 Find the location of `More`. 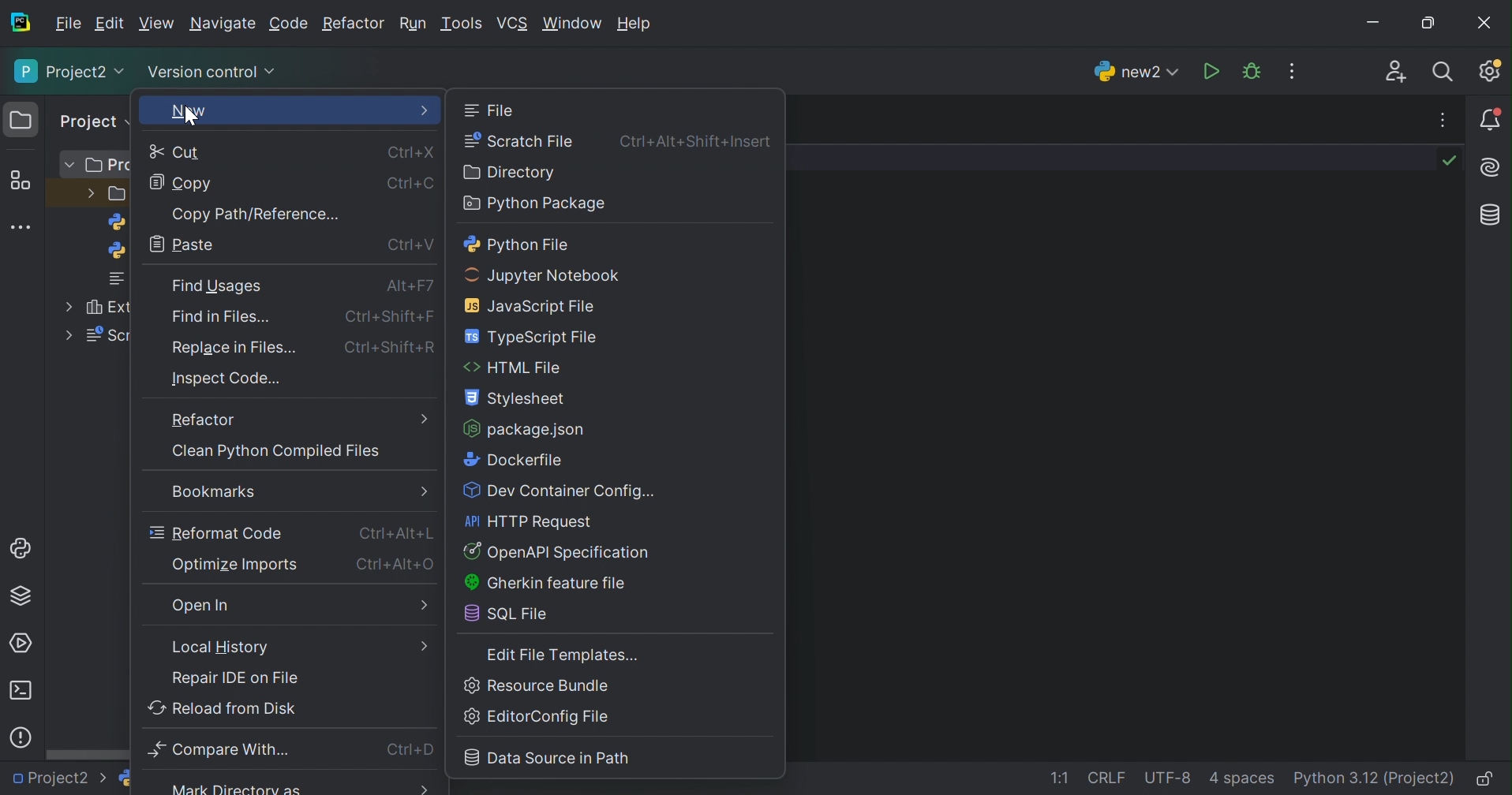

More is located at coordinates (424, 419).